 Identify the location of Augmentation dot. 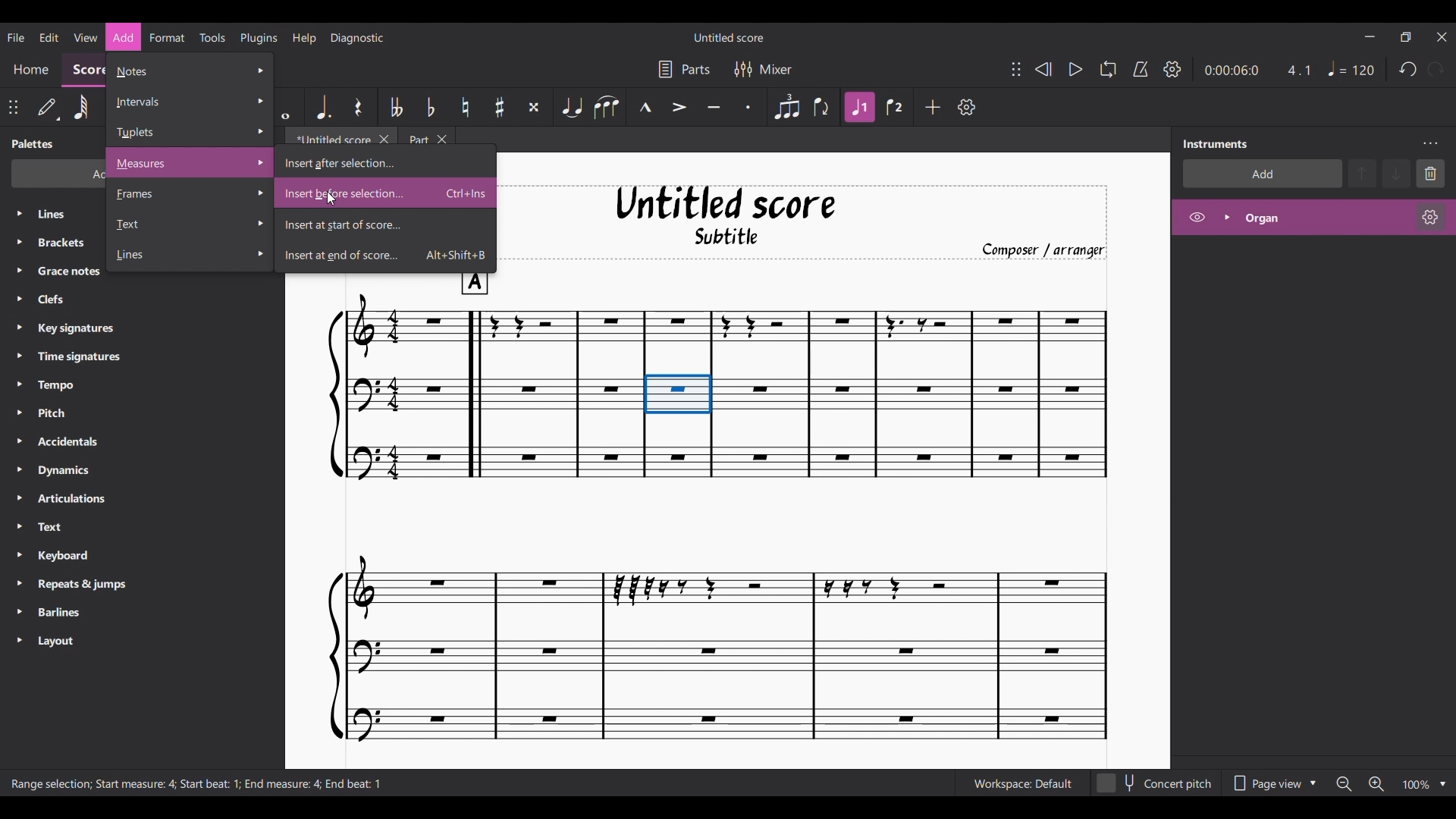
(325, 106).